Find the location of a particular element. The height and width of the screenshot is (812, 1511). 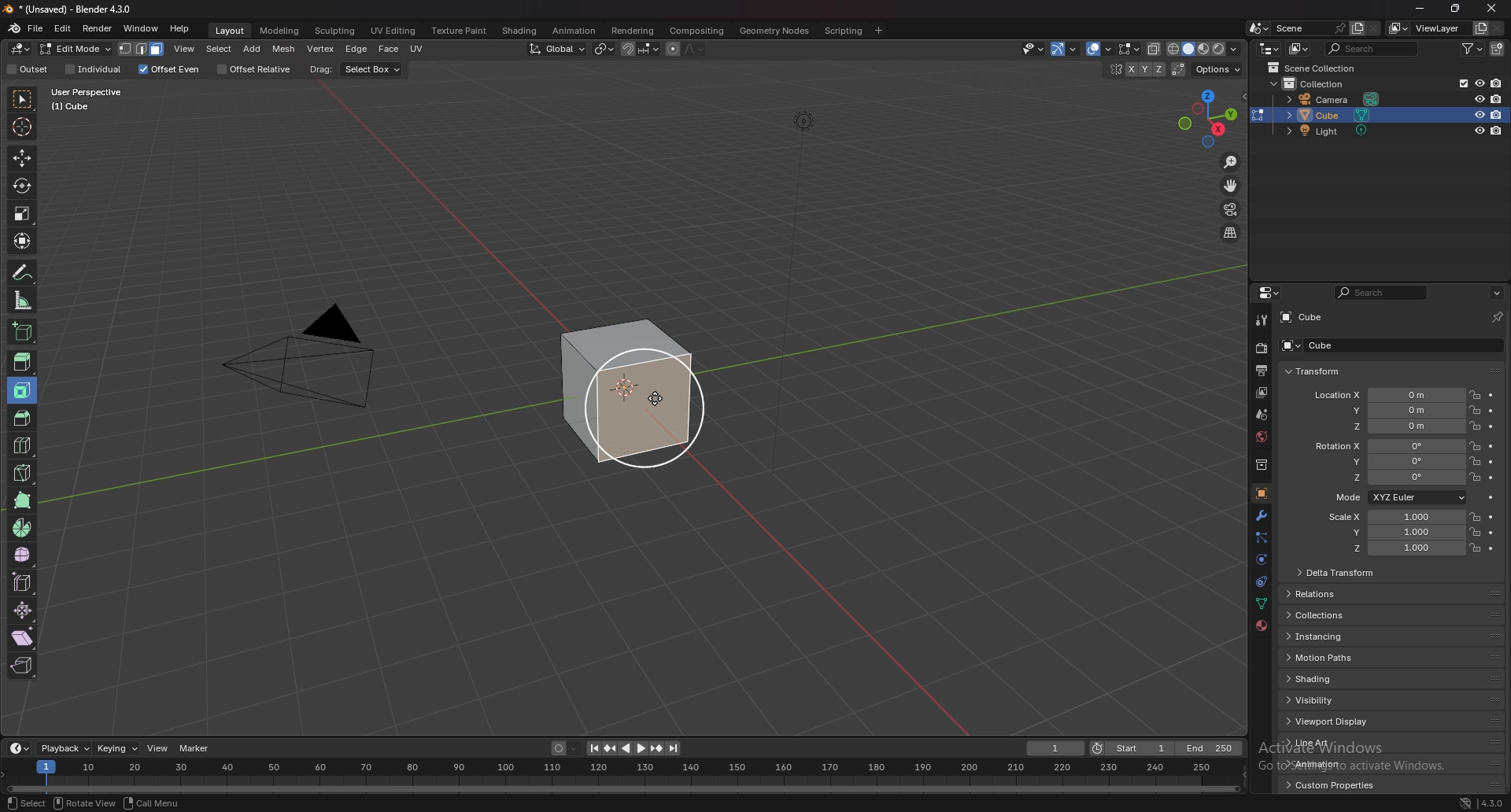

layout is located at coordinates (231, 31).